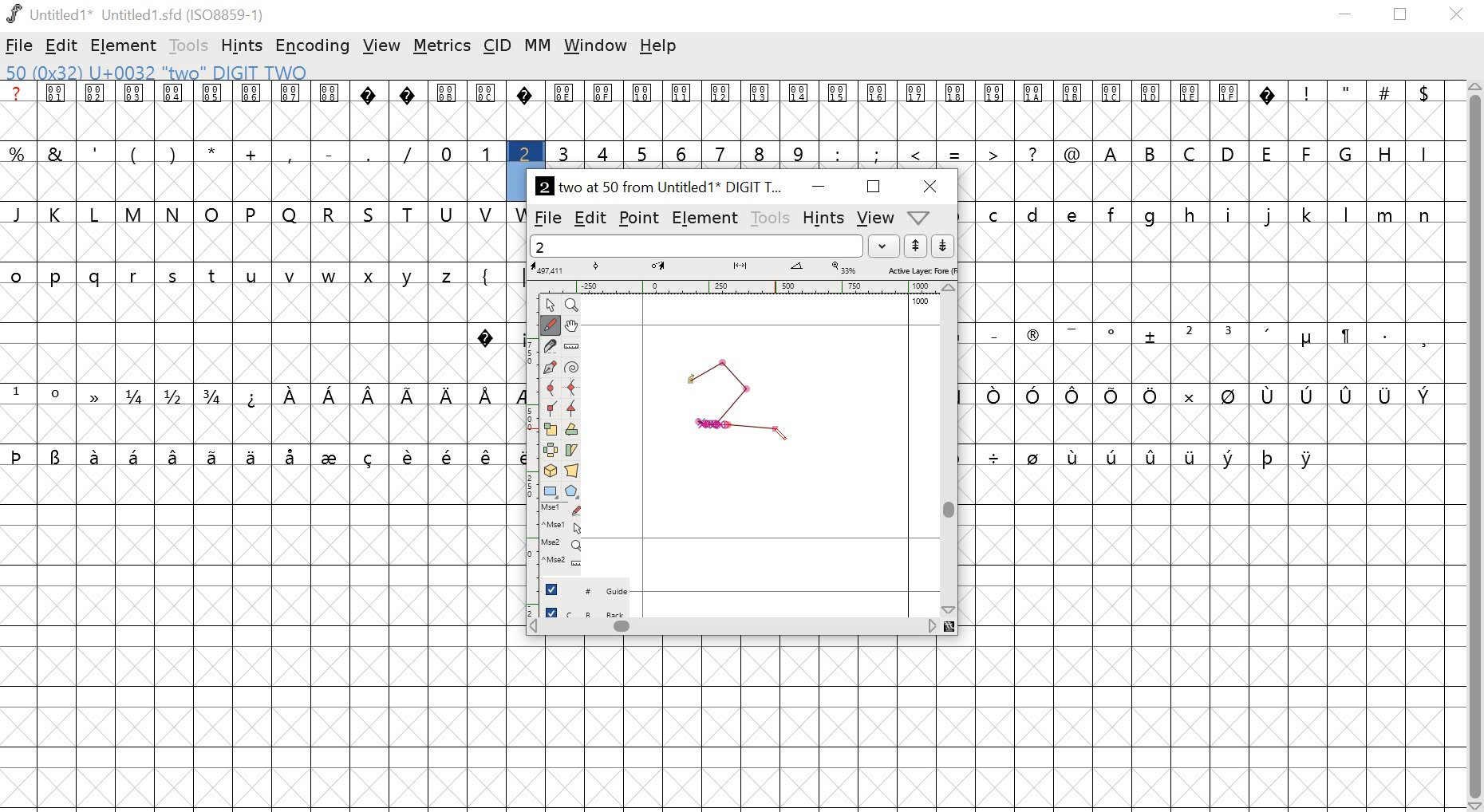 This screenshot has height=812, width=1484. Describe the element at coordinates (884, 246) in the screenshot. I see `dropdown` at that location.